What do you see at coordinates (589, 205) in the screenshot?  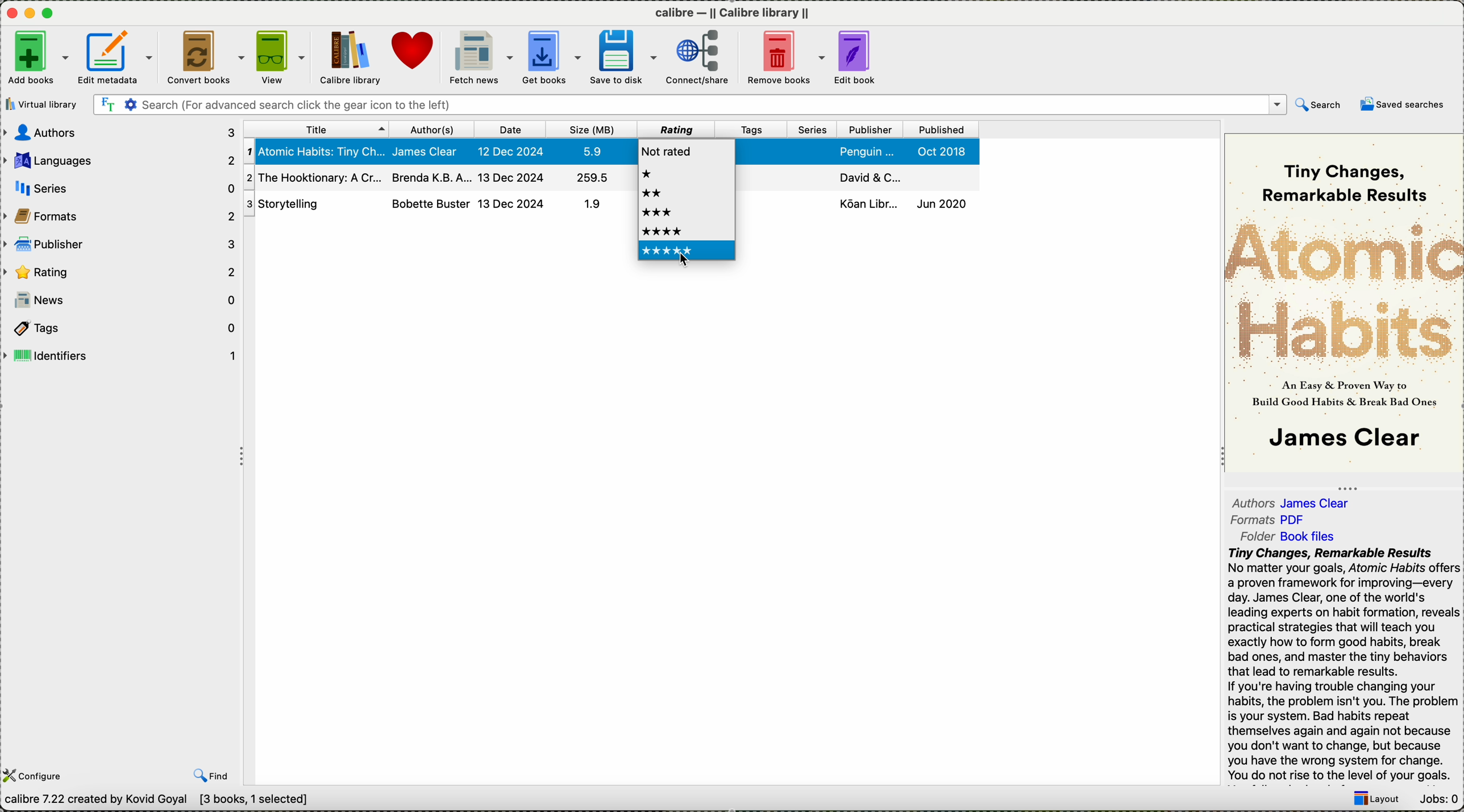 I see `1.9` at bounding box center [589, 205].